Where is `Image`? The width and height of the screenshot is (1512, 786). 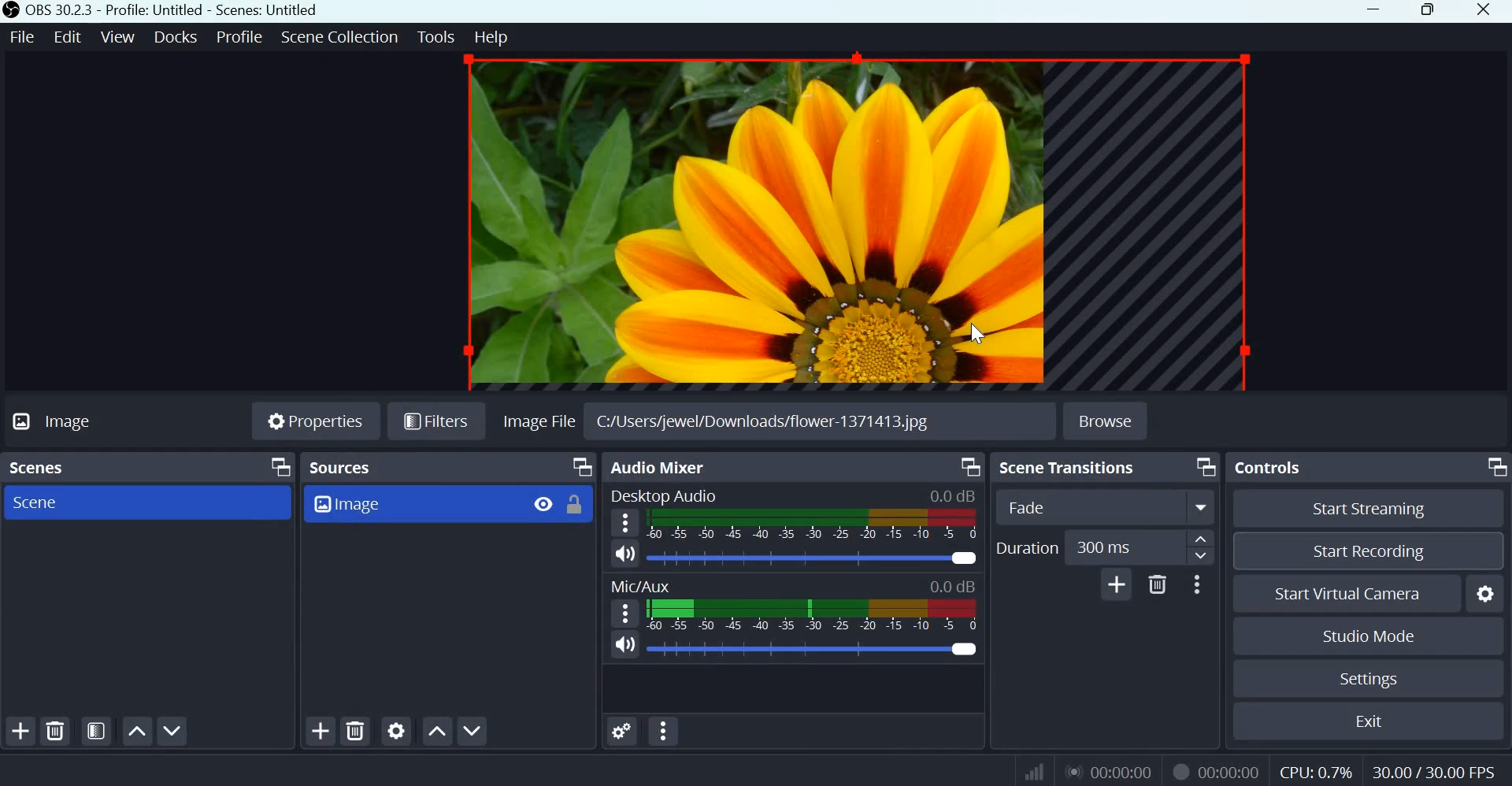 Image is located at coordinates (431, 506).